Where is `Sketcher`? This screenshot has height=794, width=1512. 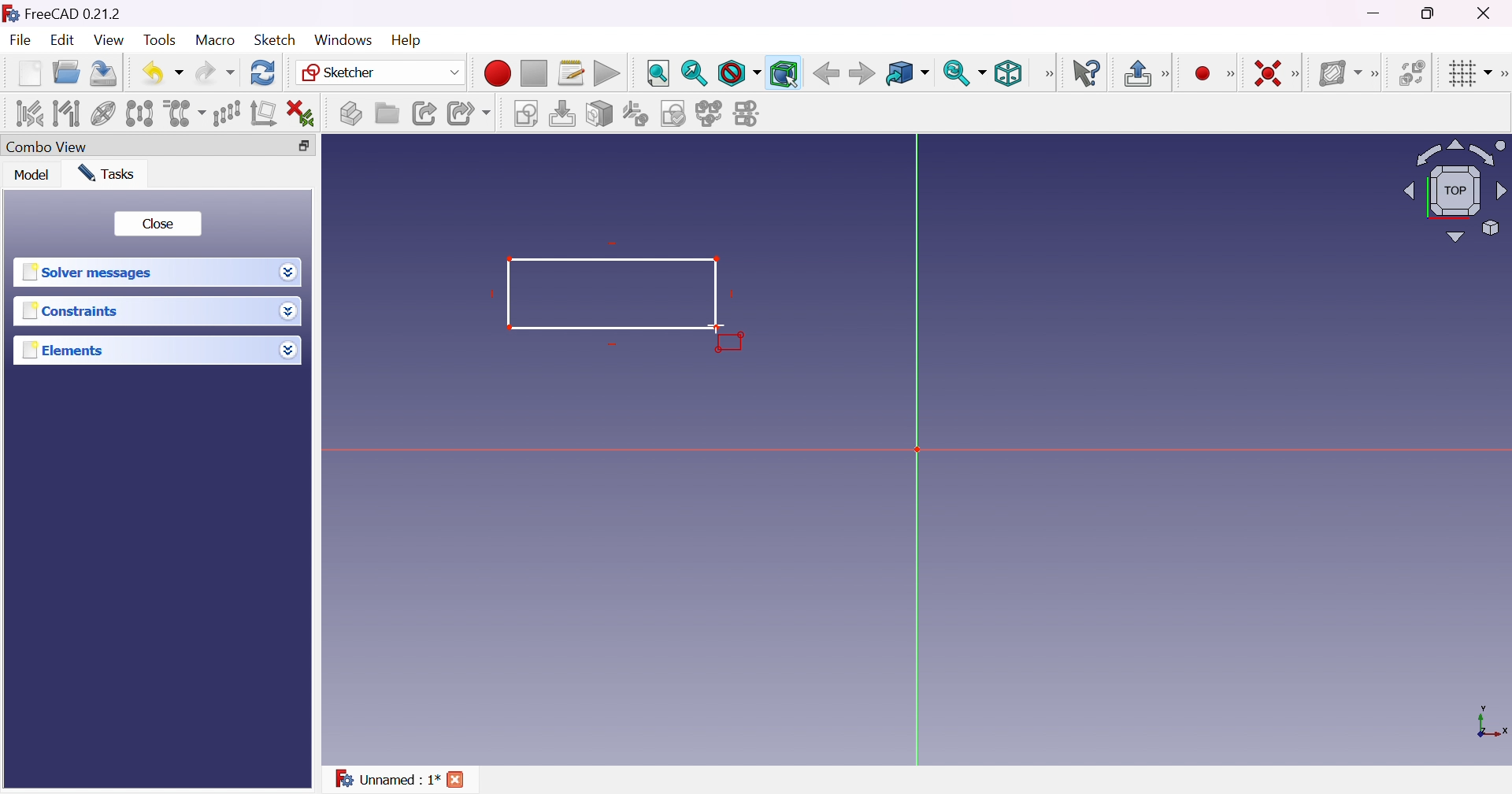
Sketcher is located at coordinates (383, 71).